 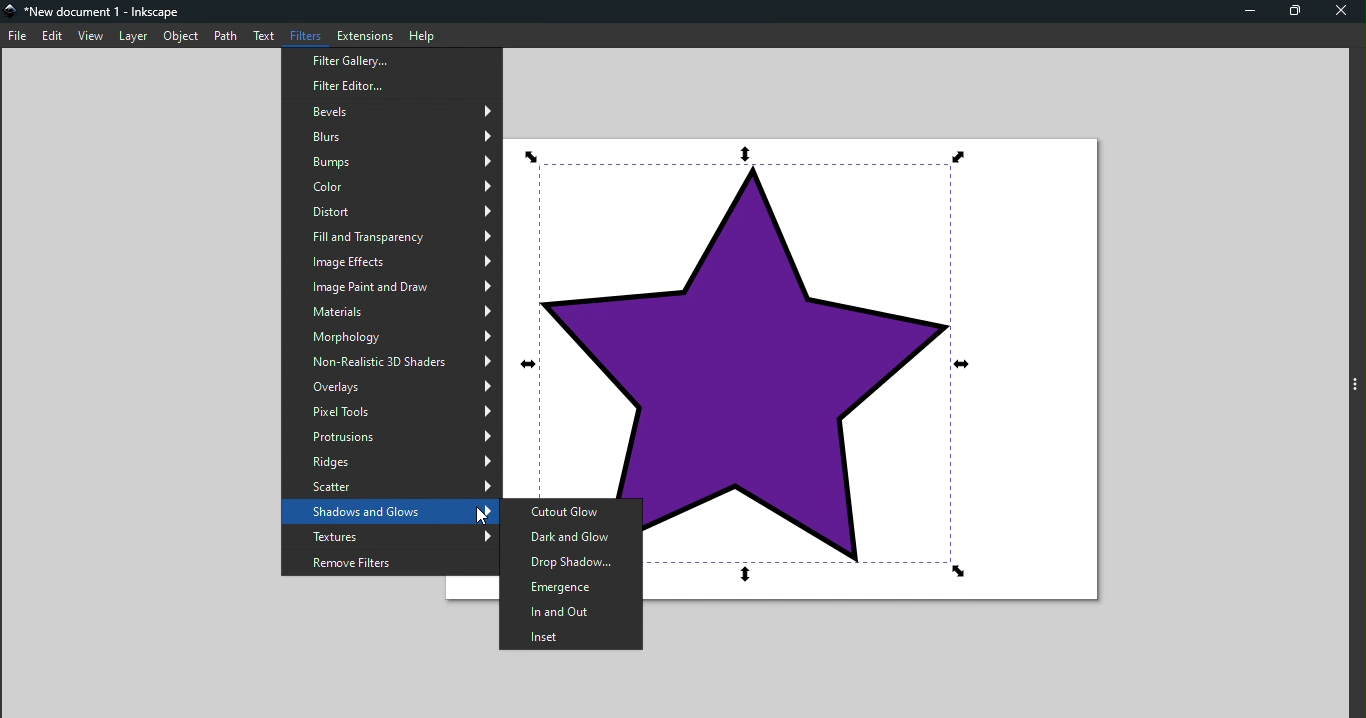 What do you see at coordinates (388, 139) in the screenshot?
I see `Blurs` at bounding box center [388, 139].